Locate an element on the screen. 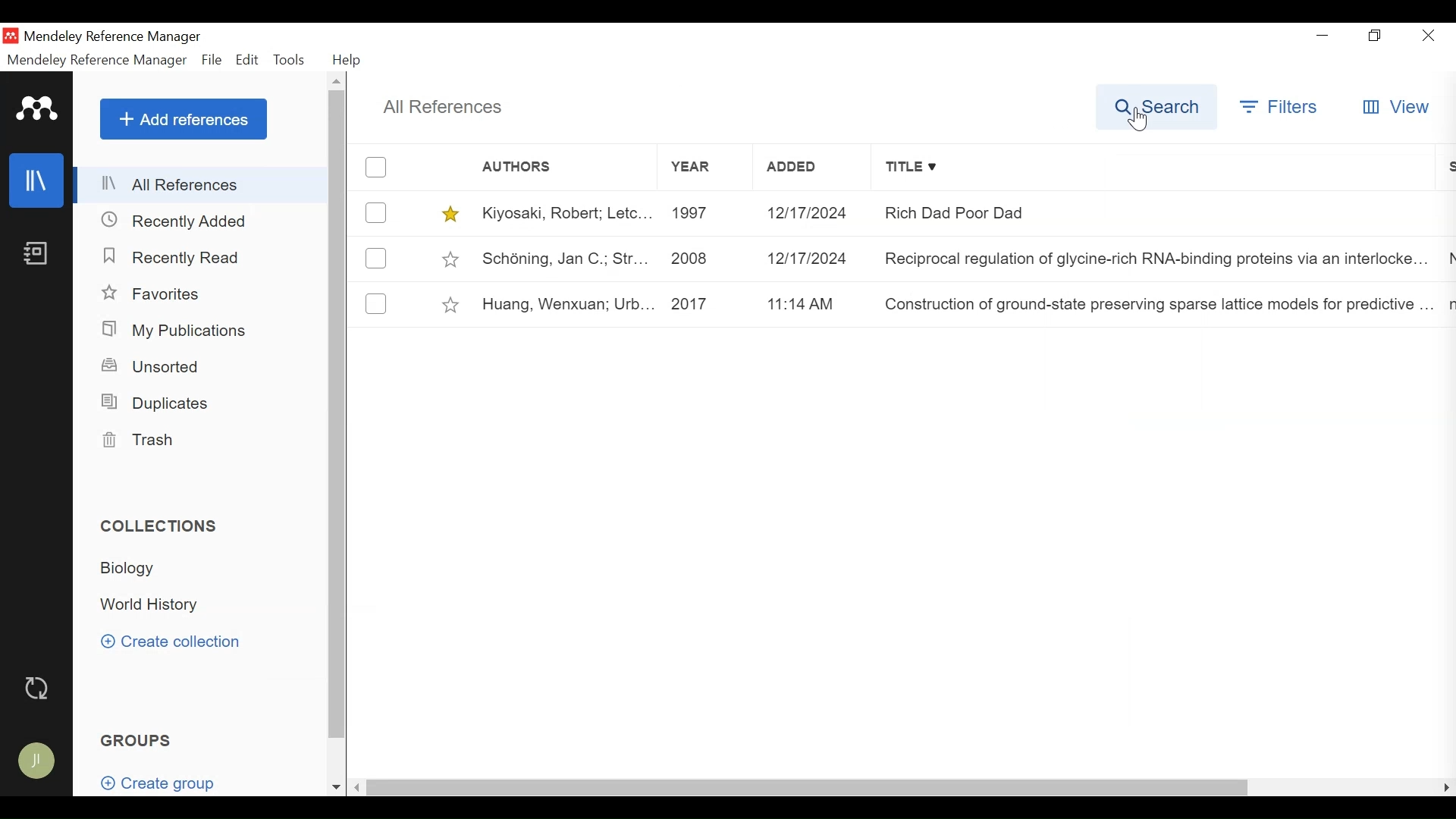 The width and height of the screenshot is (1456, 819). Groups is located at coordinates (138, 739).